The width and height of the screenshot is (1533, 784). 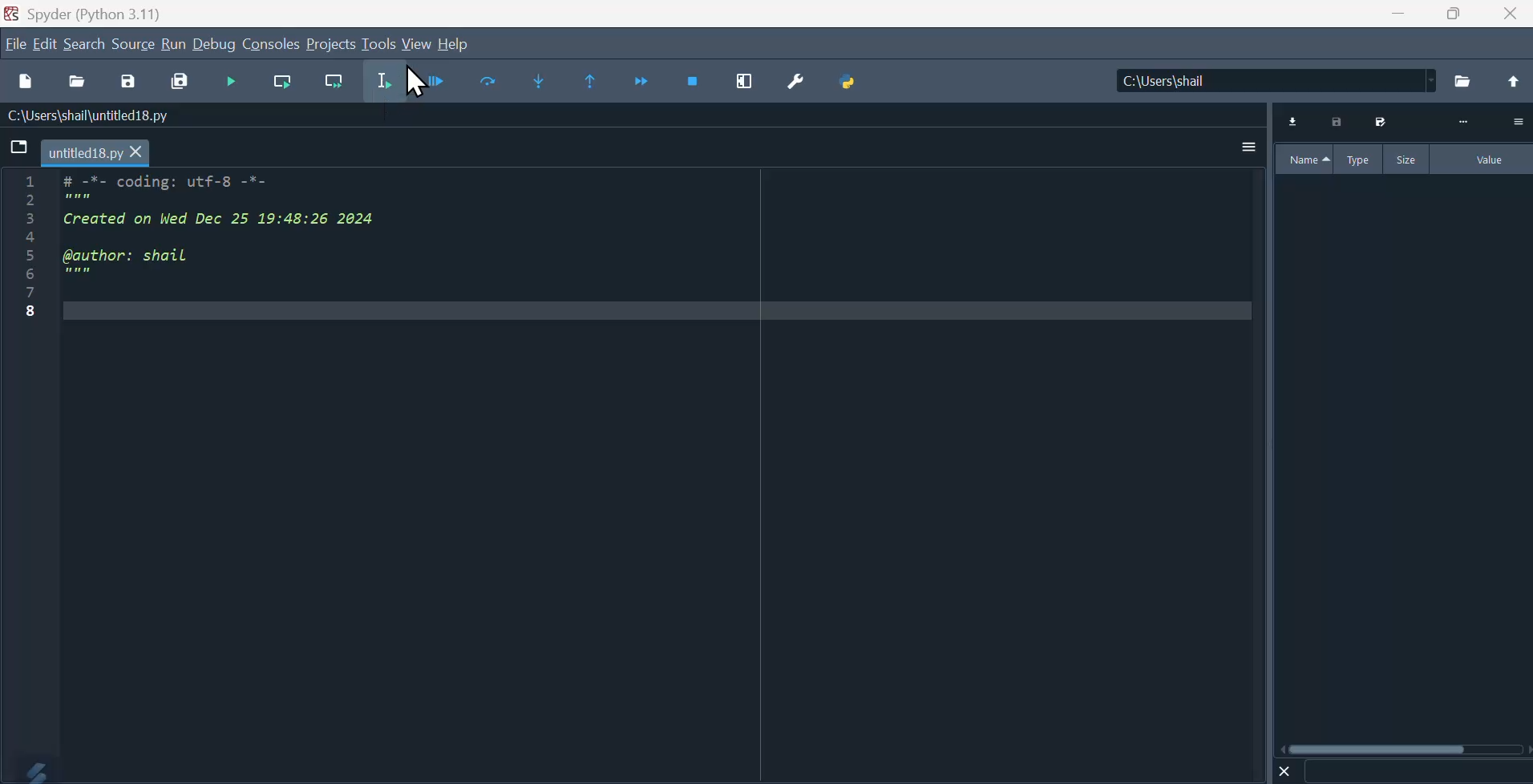 What do you see at coordinates (418, 83) in the screenshot?
I see `Close` at bounding box center [418, 83].